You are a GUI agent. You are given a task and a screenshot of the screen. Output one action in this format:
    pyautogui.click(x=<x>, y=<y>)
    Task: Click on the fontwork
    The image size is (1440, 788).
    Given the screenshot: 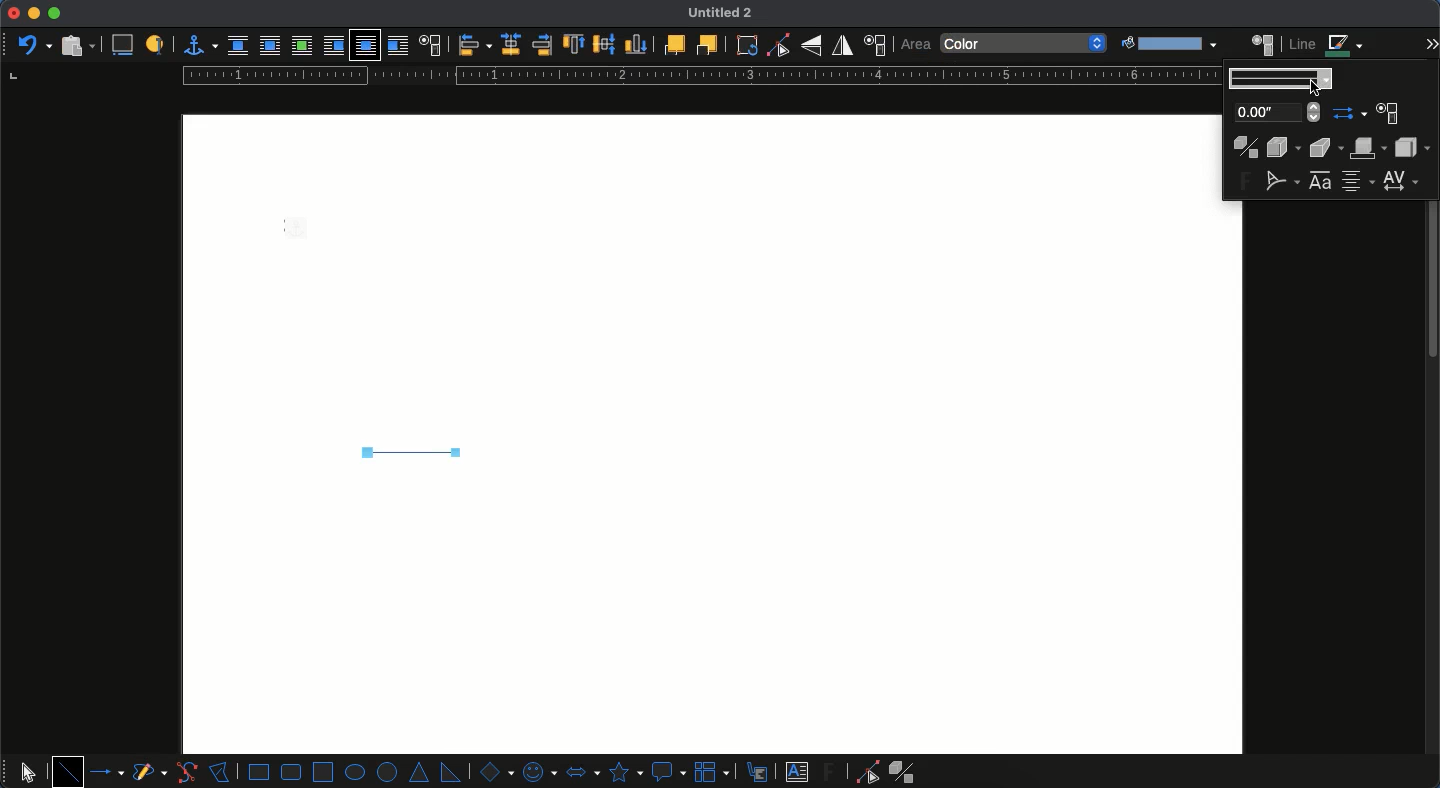 What is the action you would take?
    pyautogui.click(x=1322, y=181)
    